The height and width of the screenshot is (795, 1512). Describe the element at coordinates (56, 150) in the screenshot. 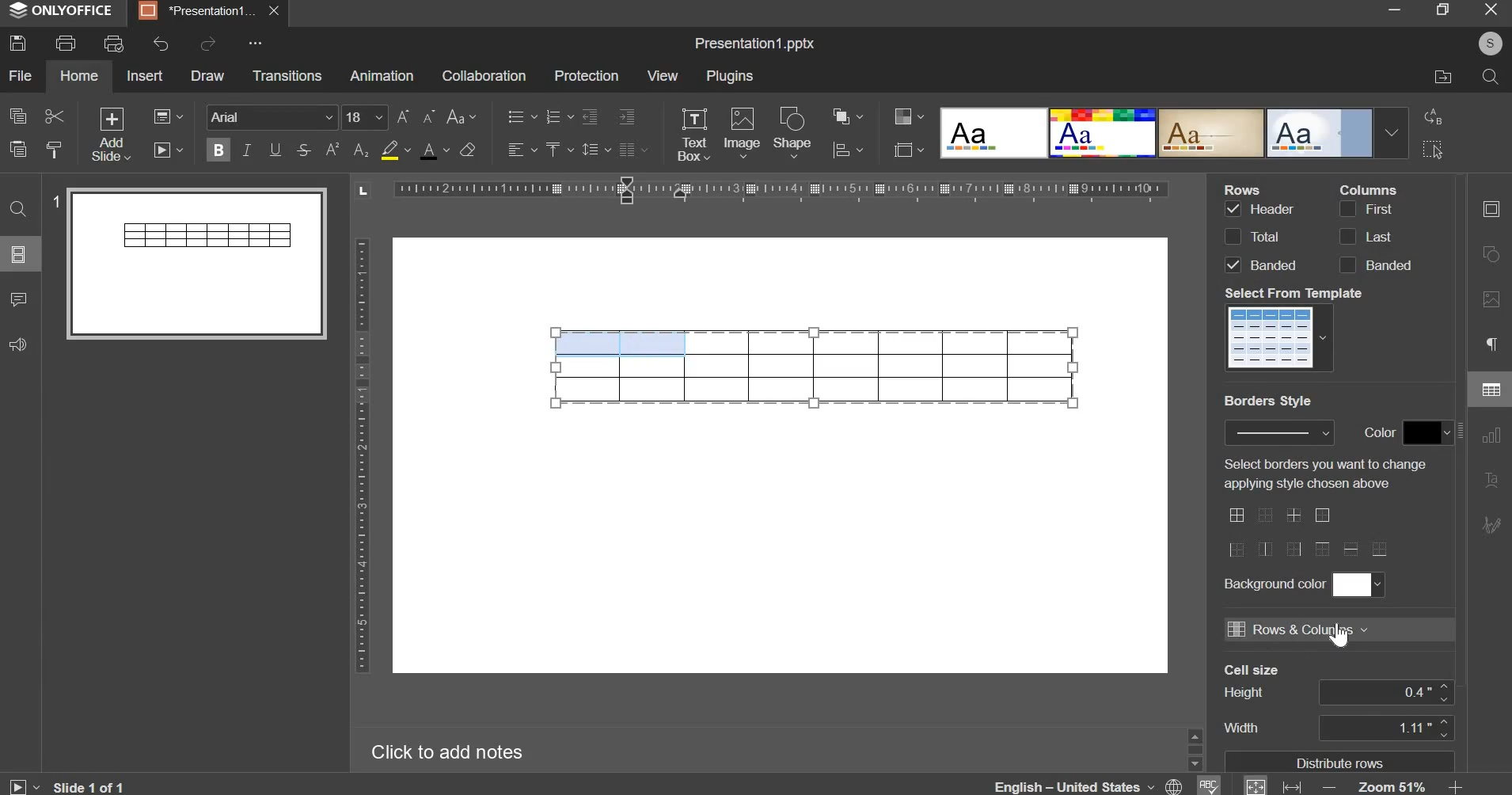

I see `copy style` at that location.